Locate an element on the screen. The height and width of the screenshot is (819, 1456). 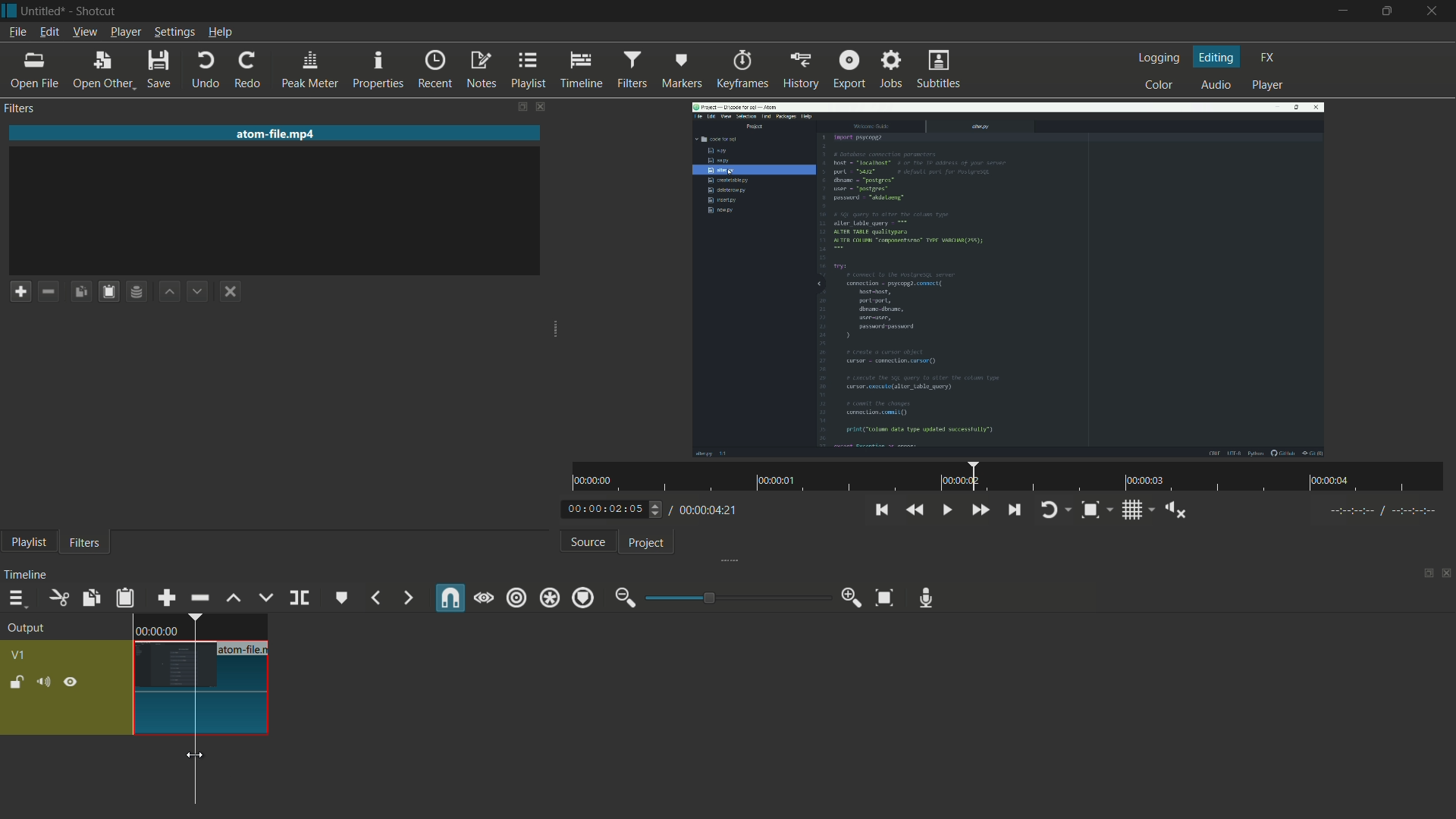
copy is located at coordinates (90, 598).